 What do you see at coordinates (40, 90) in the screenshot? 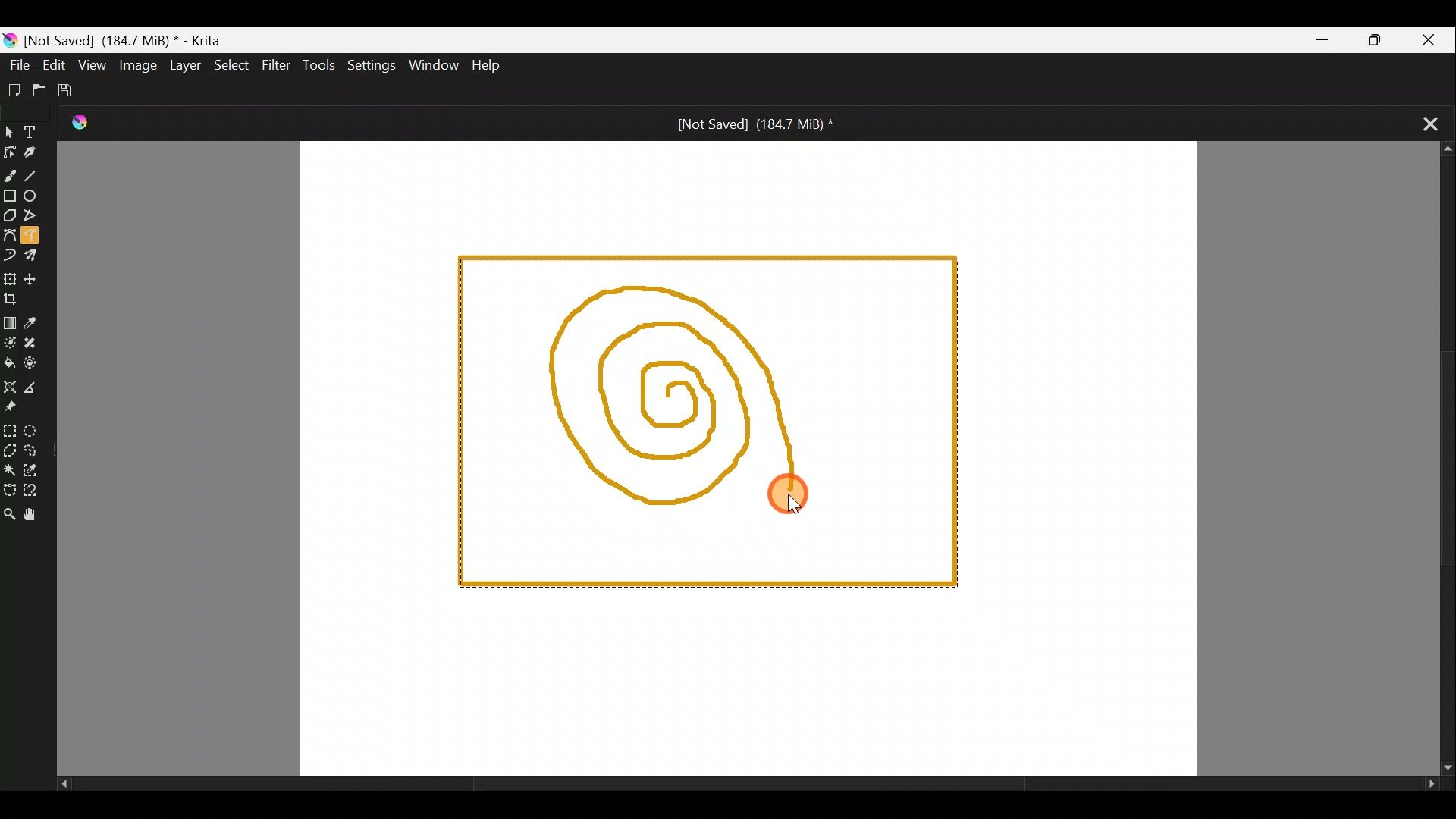
I see `Open existing document` at bounding box center [40, 90].